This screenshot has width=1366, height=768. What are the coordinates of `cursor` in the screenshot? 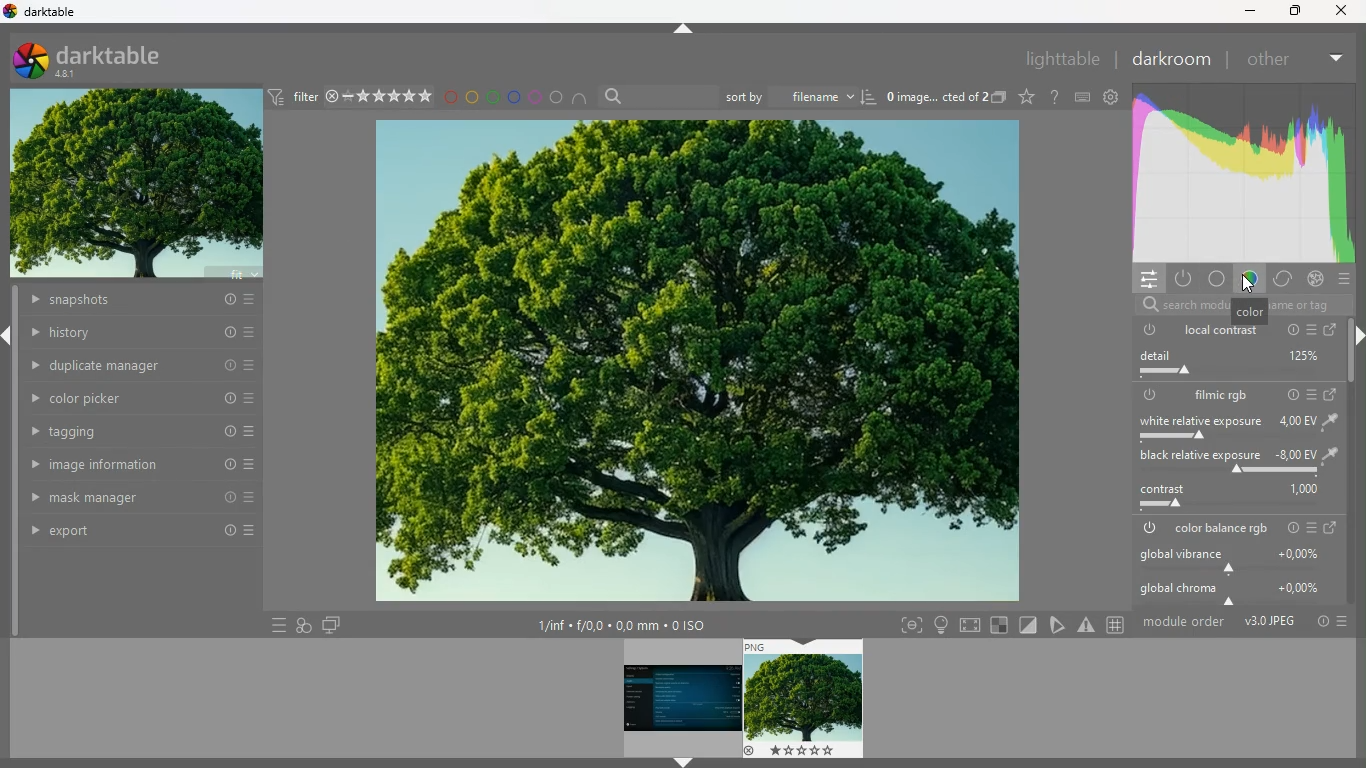 It's located at (1249, 283).